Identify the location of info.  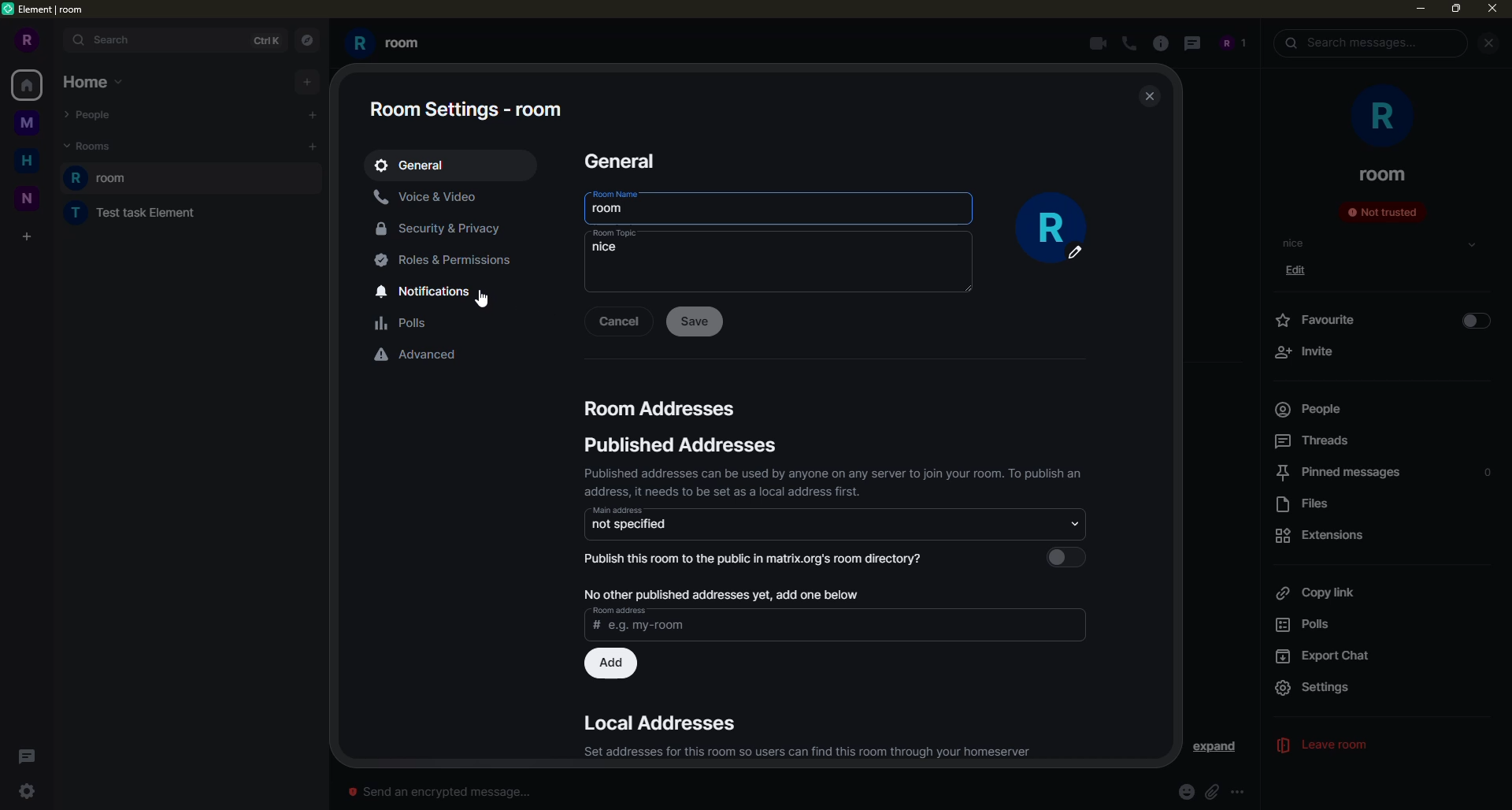
(836, 481).